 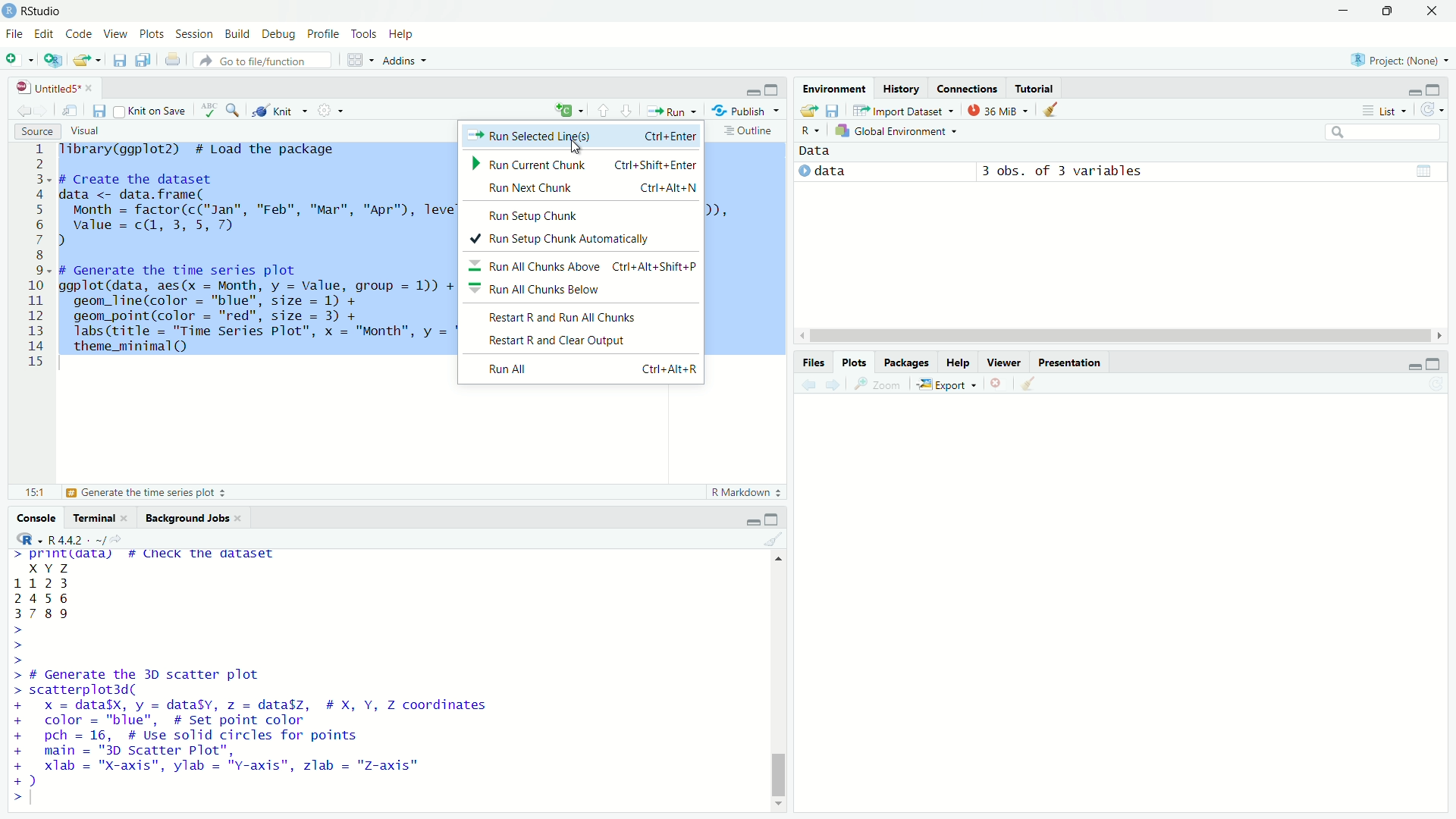 What do you see at coordinates (833, 385) in the screenshot?
I see `next plot` at bounding box center [833, 385].